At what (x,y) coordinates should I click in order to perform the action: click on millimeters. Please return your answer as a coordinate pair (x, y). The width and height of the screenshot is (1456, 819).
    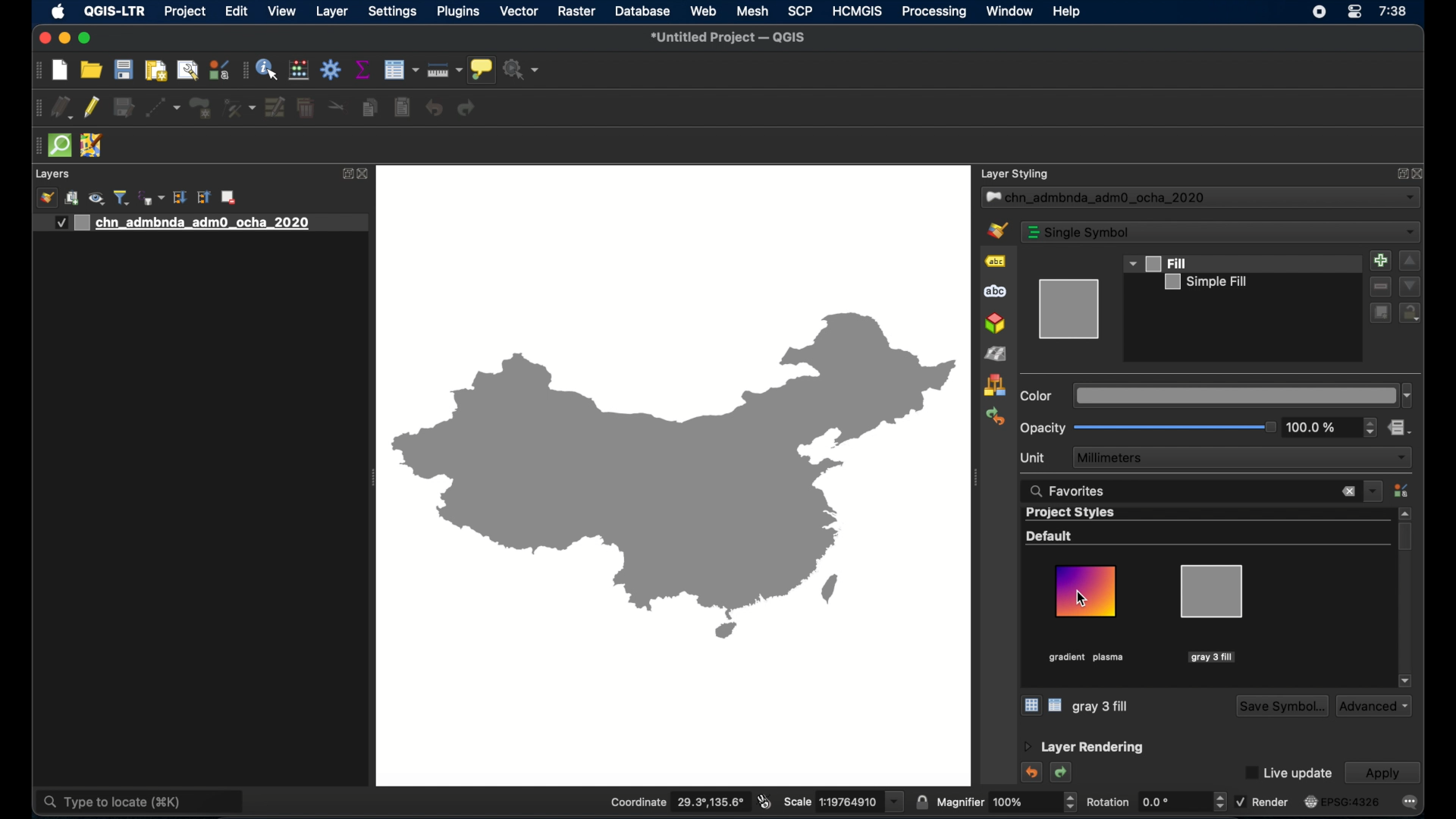
    Looking at the image, I should click on (1241, 457).